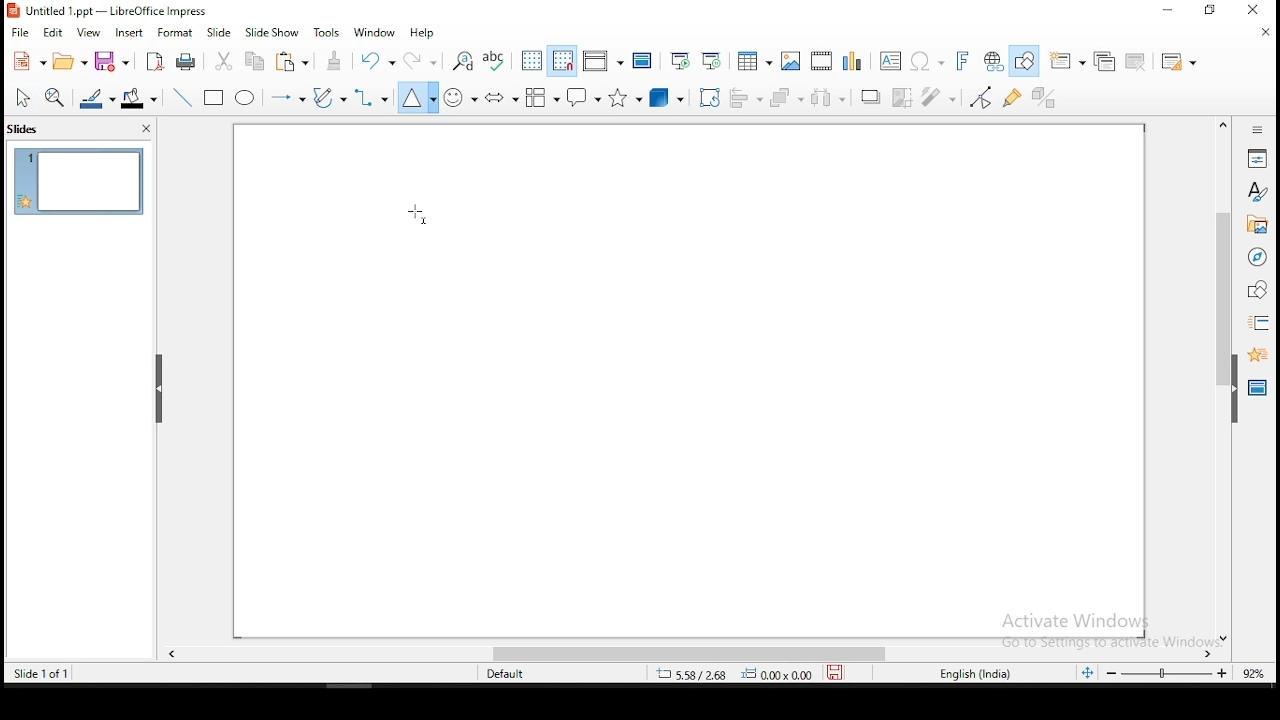 The width and height of the screenshot is (1280, 720). I want to click on redo, so click(420, 60).